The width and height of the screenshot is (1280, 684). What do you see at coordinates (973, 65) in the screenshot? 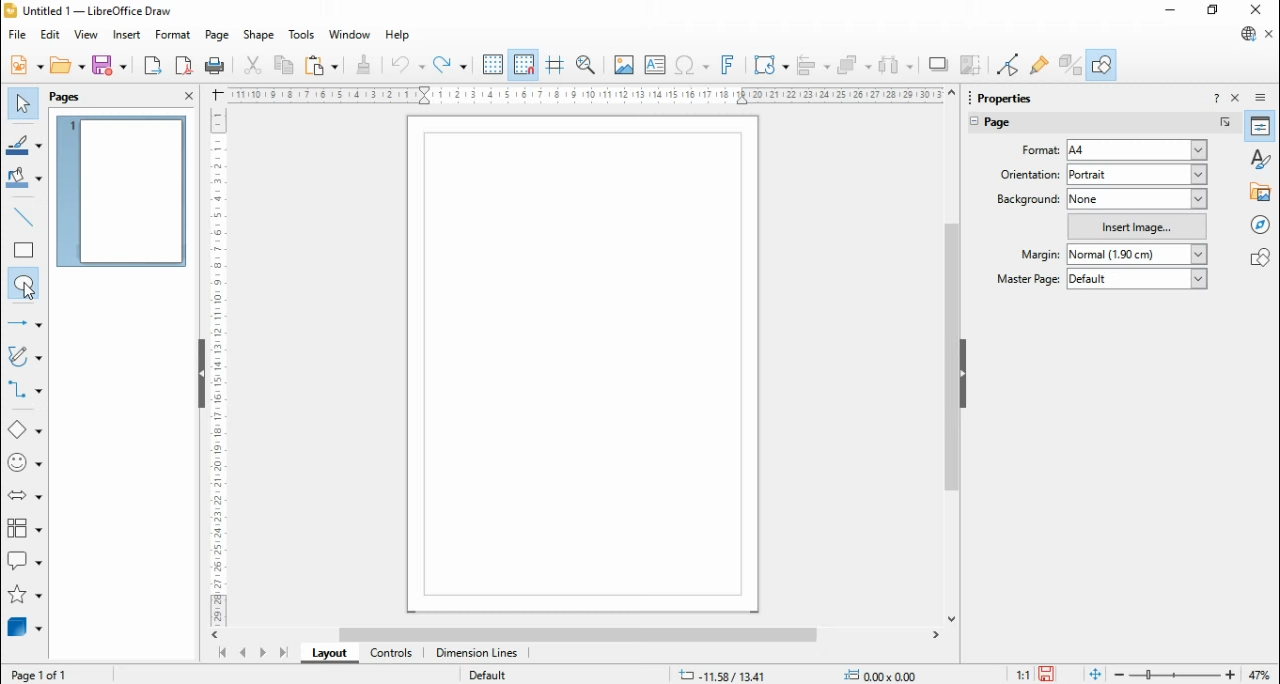
I see `crop image` at bounding box center [973, 65].